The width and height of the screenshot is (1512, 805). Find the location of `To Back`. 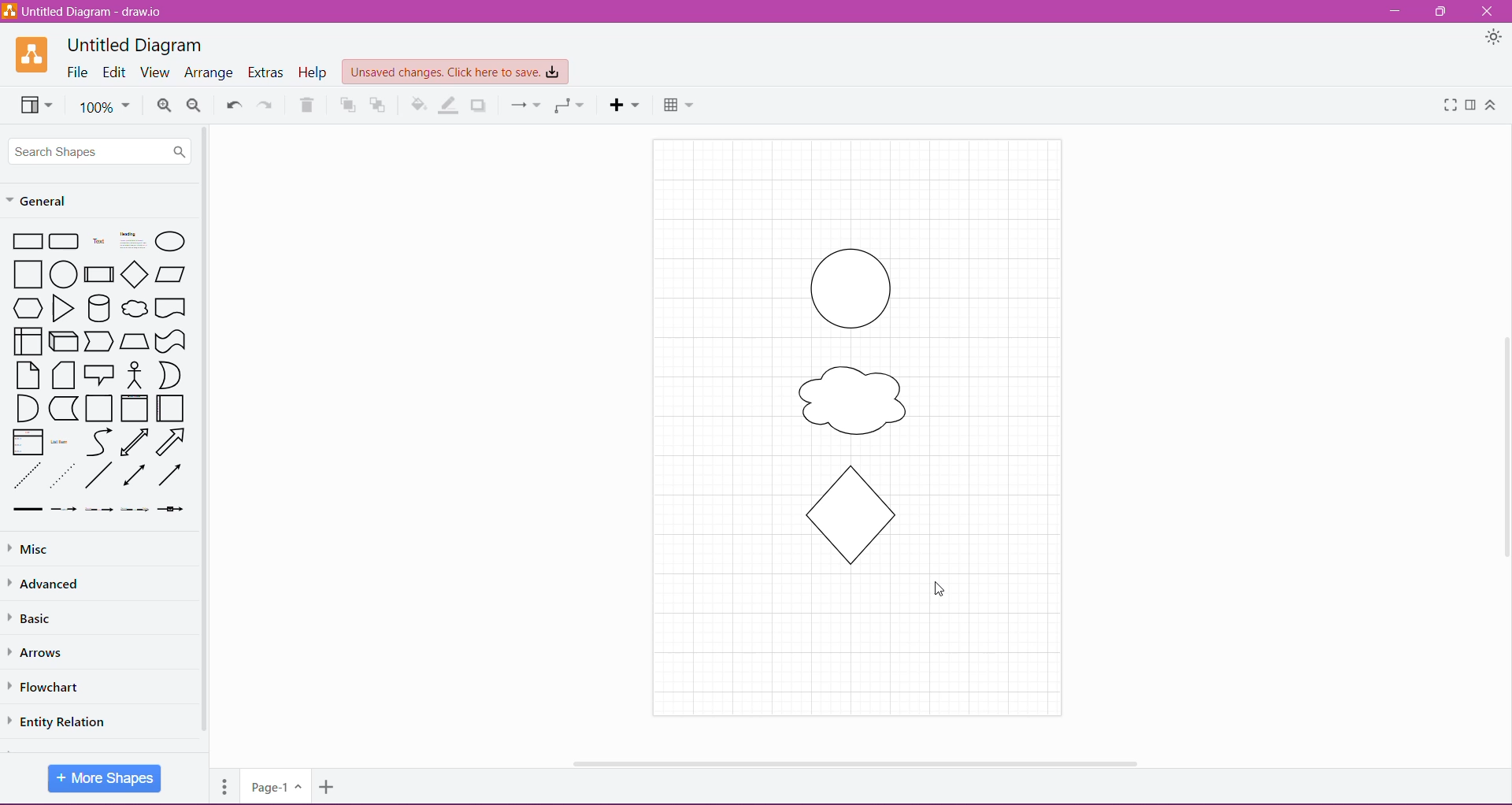

To Back is located at coordinates (380, 105).